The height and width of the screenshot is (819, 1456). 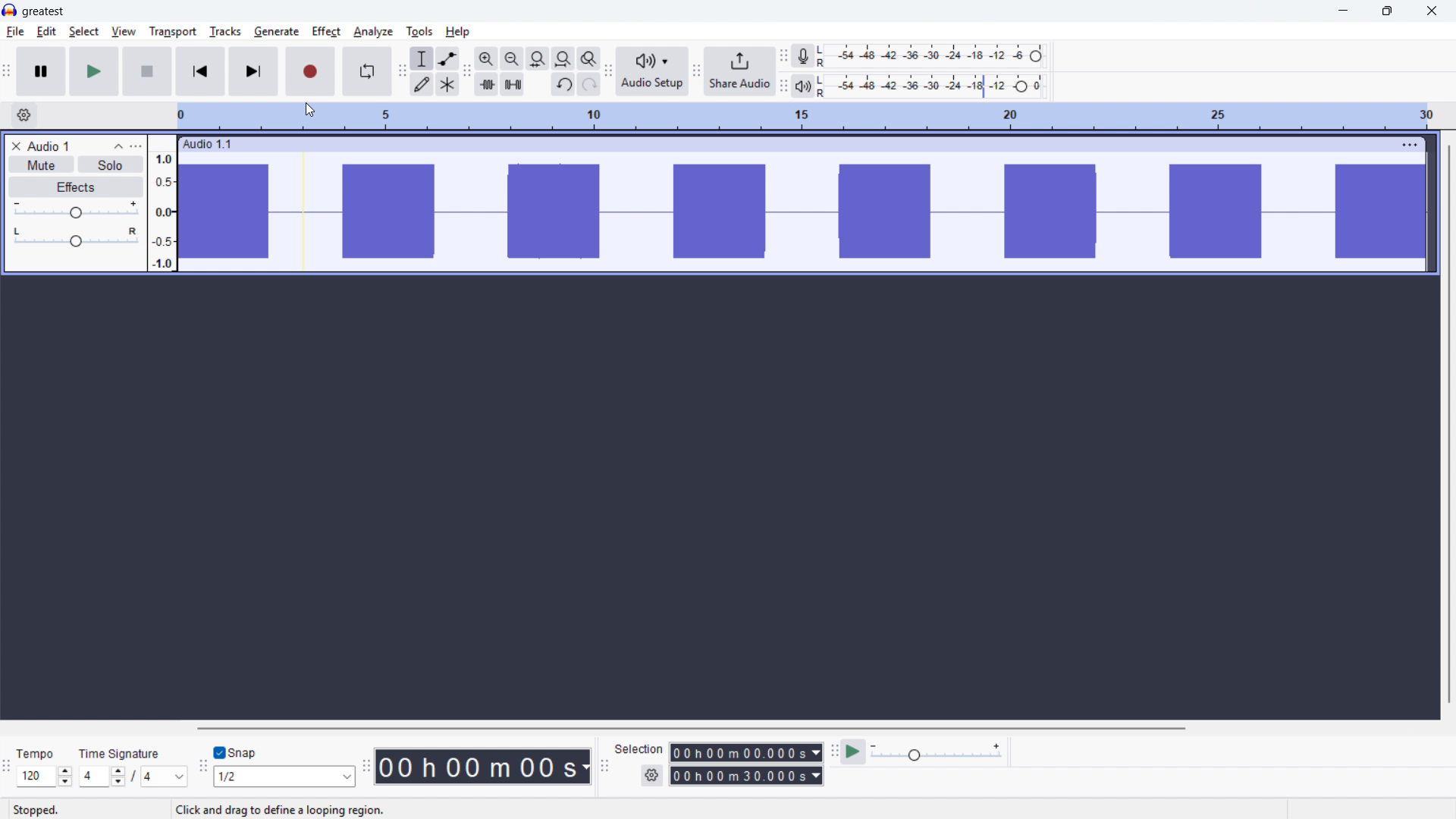 I want to click on skip to start, so click(x=201, y=71).